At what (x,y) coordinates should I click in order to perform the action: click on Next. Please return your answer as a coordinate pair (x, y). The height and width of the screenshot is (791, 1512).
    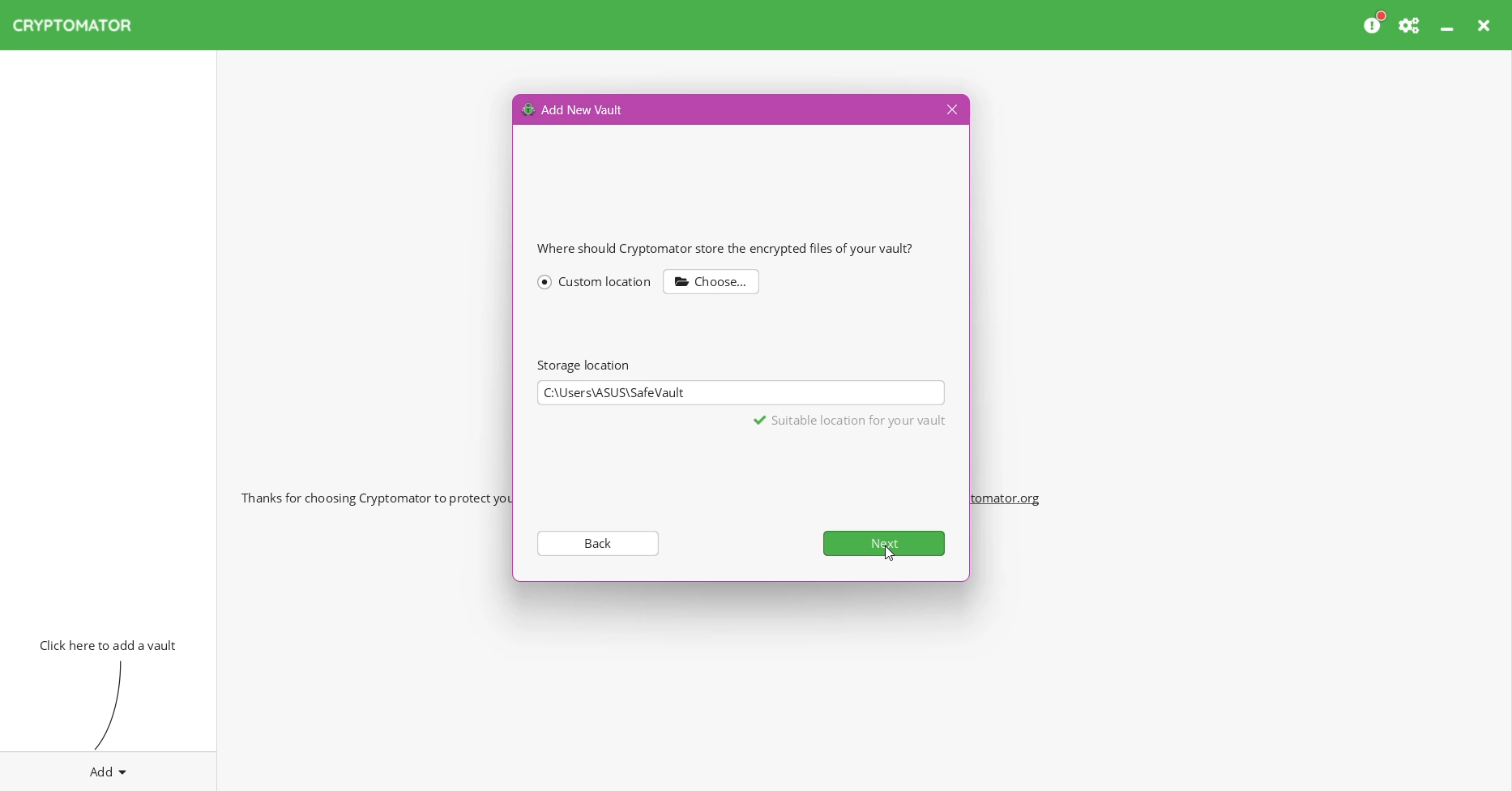
    Looking at the image, I should click on (886, 543).